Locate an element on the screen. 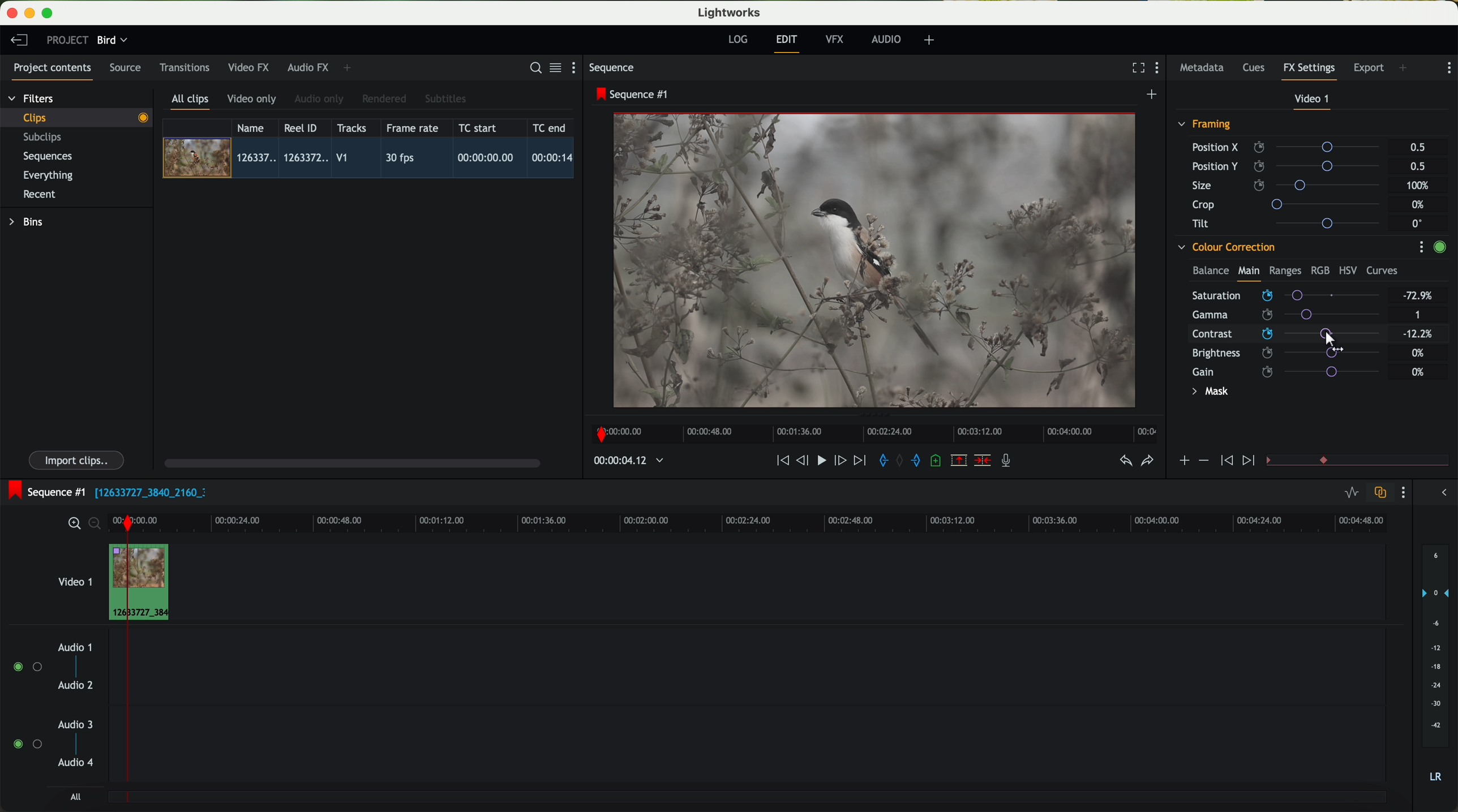 The height and width of the screenshot is (812, 1458). audio FX is located at coordinates (308, 67).